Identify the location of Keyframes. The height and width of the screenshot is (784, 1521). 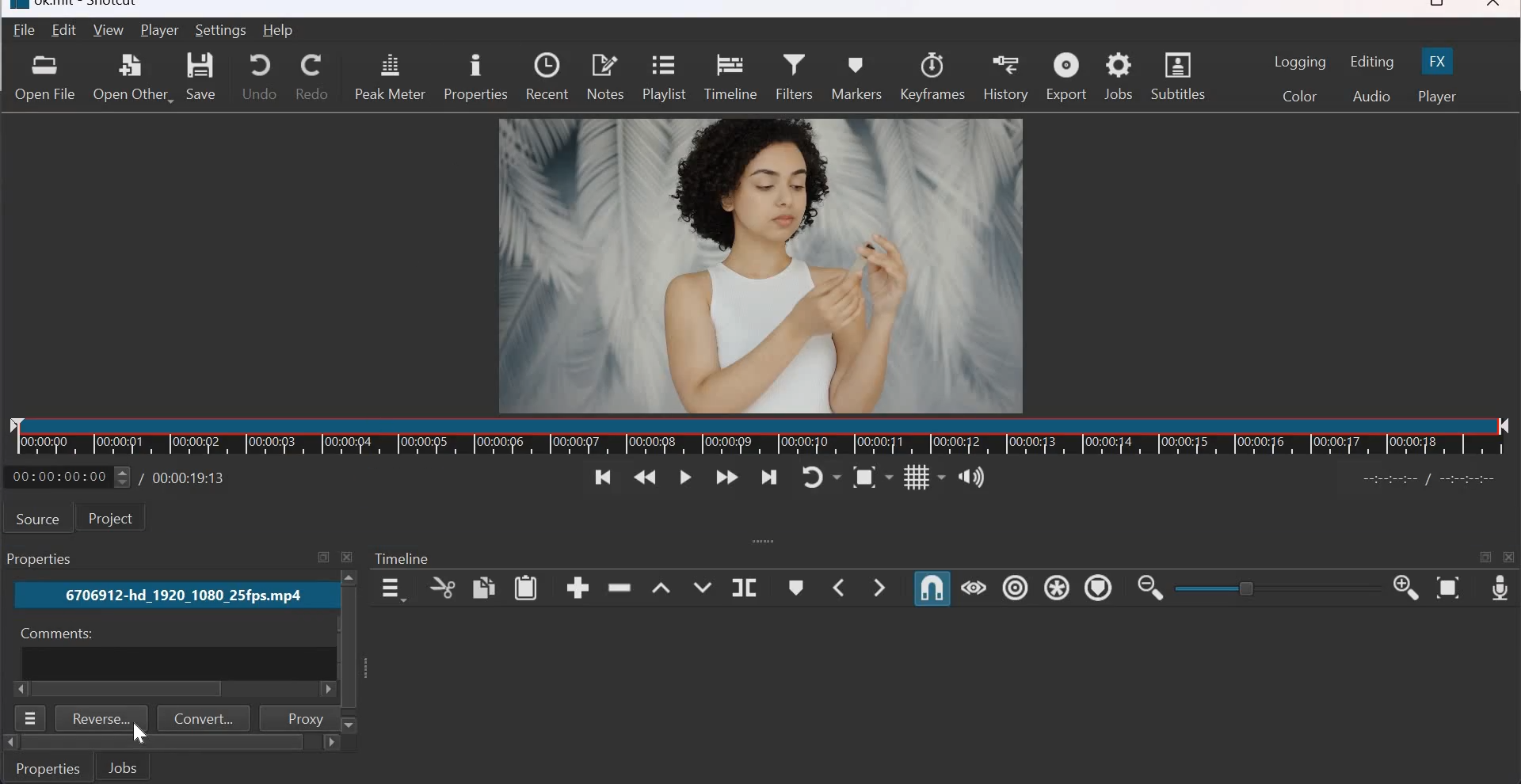
(933, 75).